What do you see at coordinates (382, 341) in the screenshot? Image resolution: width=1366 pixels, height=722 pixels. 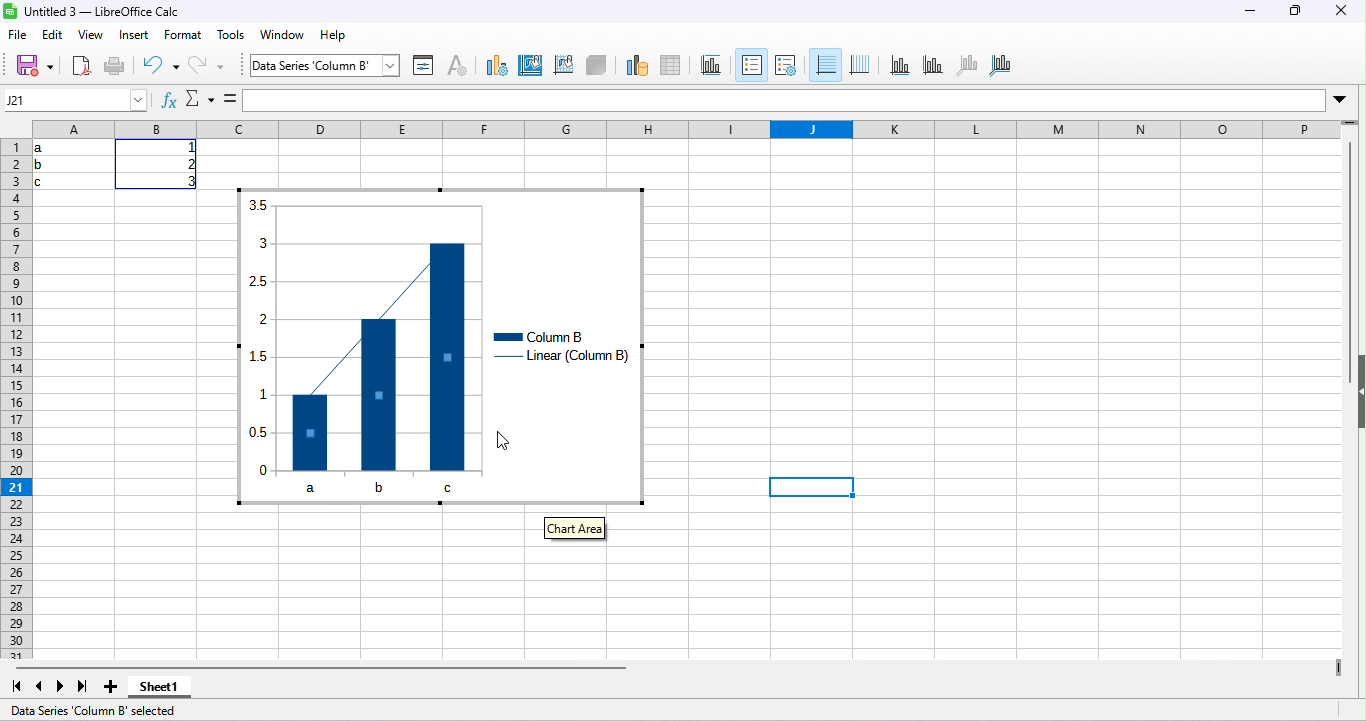 I see `trend line appeared` at bounding box center [382, 341].